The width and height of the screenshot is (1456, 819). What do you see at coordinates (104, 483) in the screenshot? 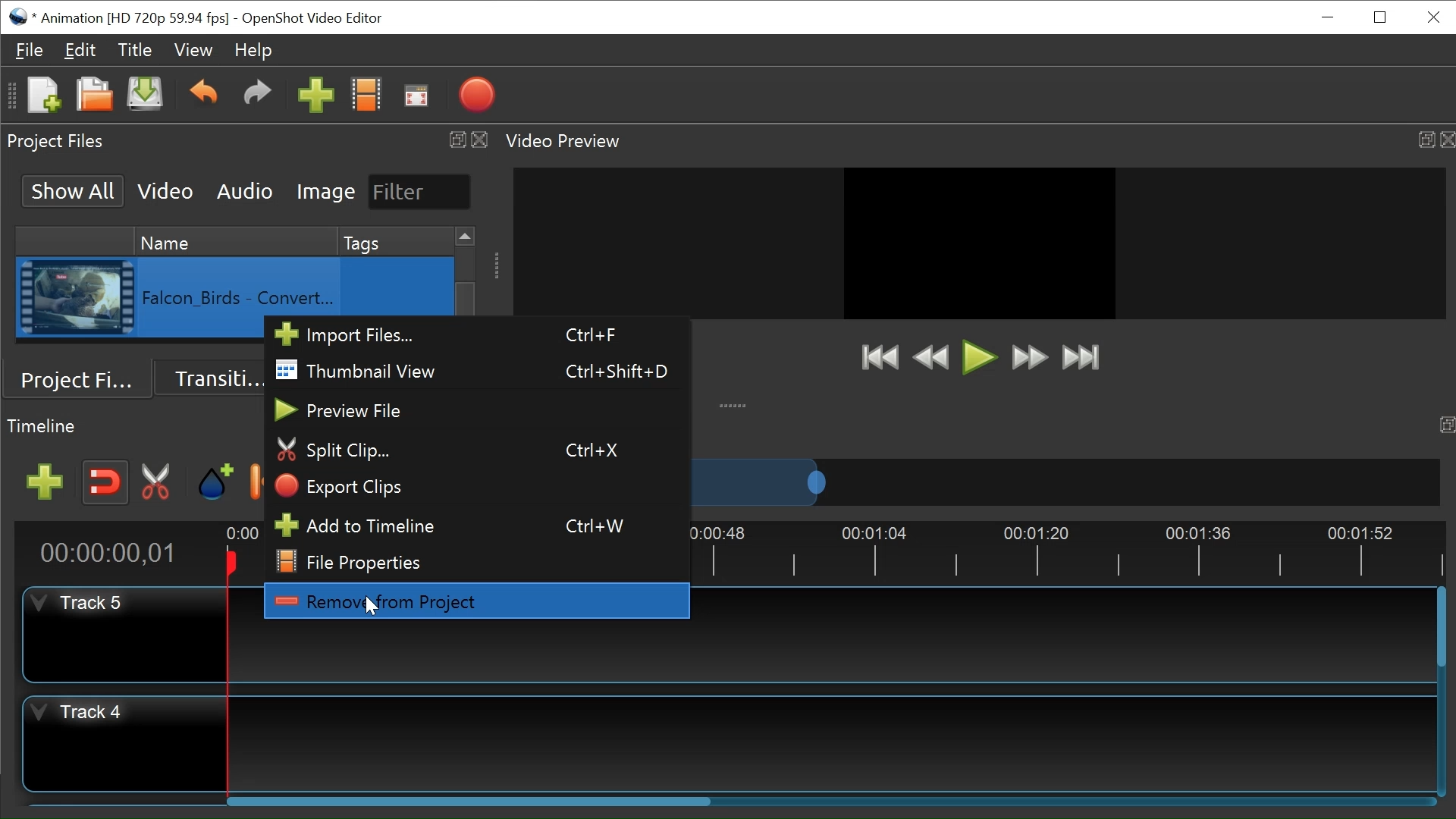
I see `Snap` at bounding box center [104, 483].